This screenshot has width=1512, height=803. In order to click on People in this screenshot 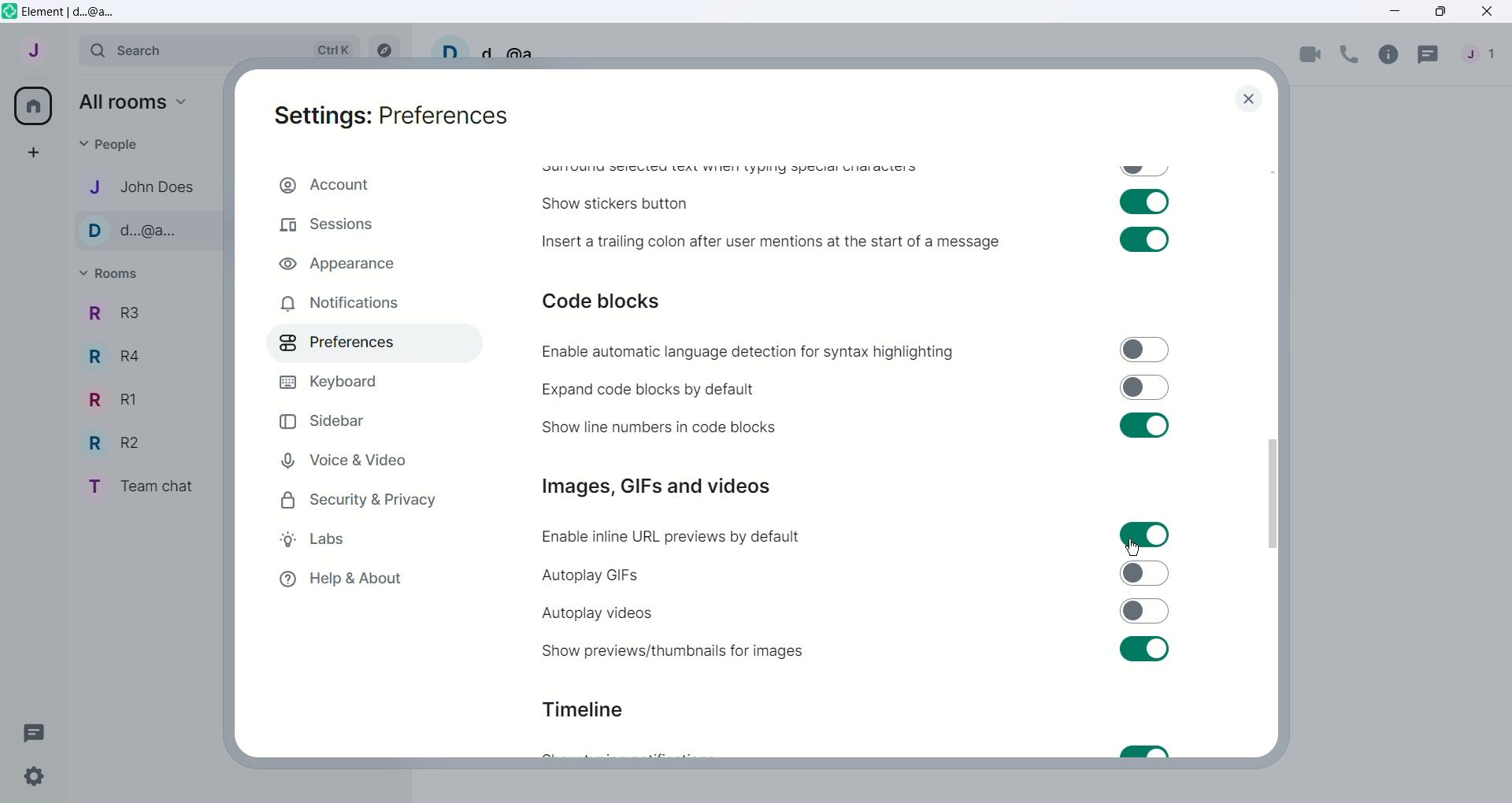, I will do `click(1484, 56)`.